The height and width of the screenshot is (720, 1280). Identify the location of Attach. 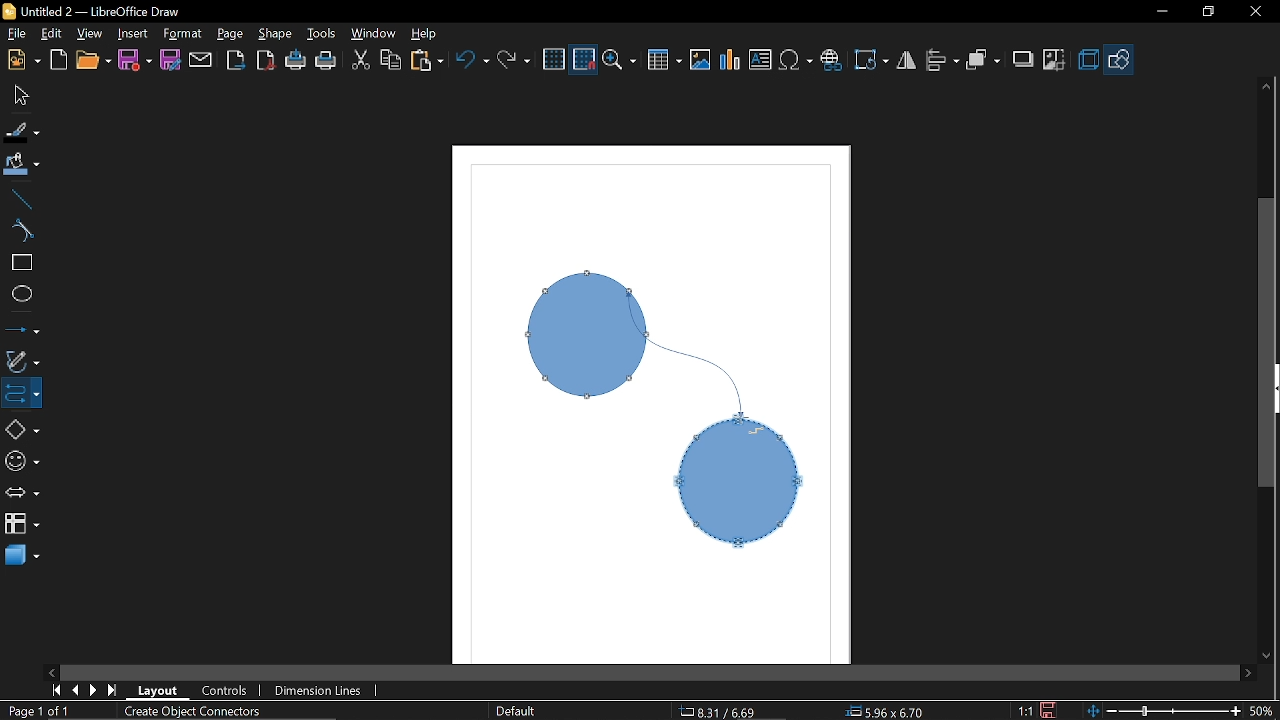
(201, 59).